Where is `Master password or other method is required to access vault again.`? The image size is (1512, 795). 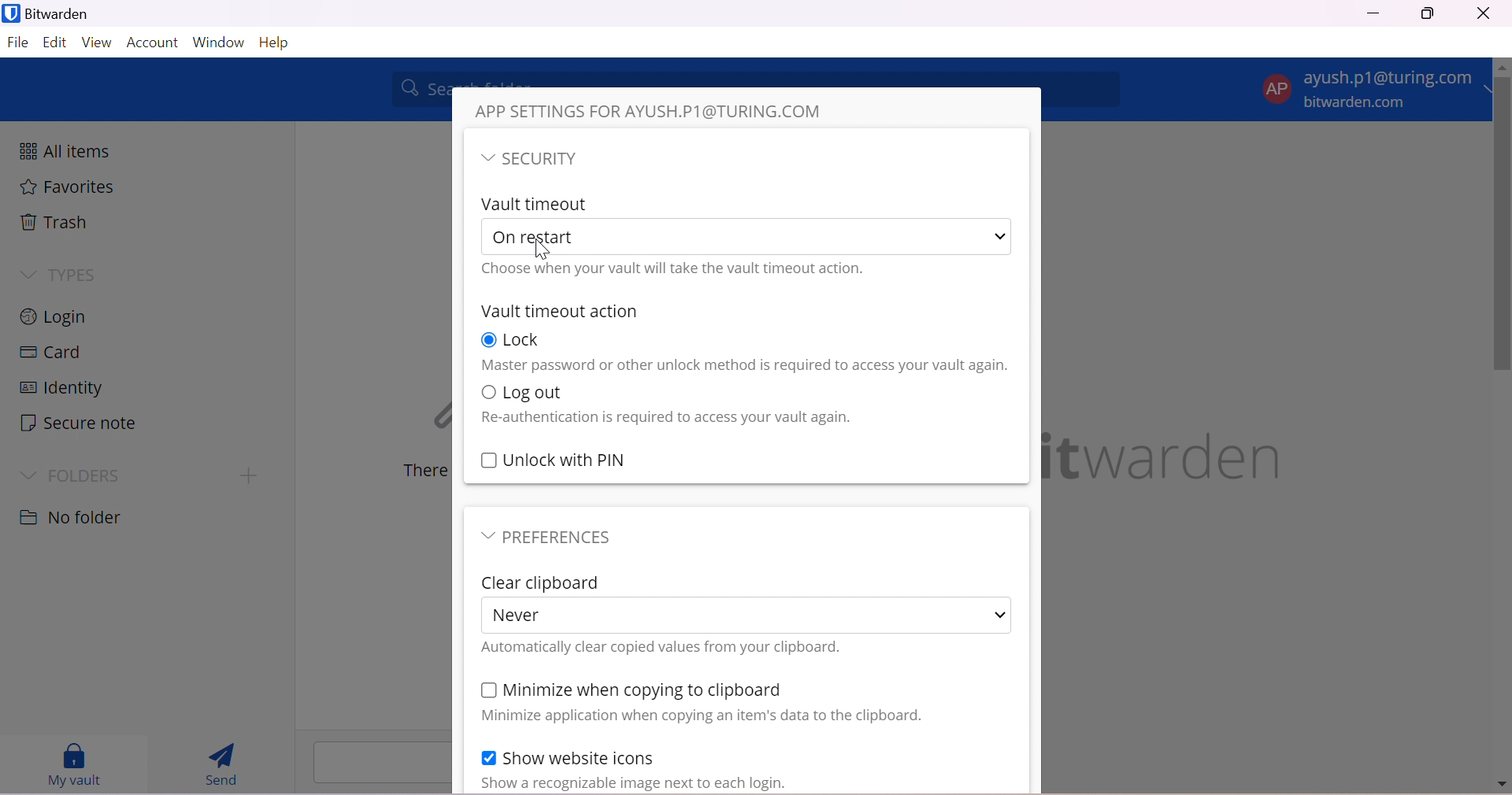 Master password or other method is required to access vault again. is located at coordinates (744, 366).